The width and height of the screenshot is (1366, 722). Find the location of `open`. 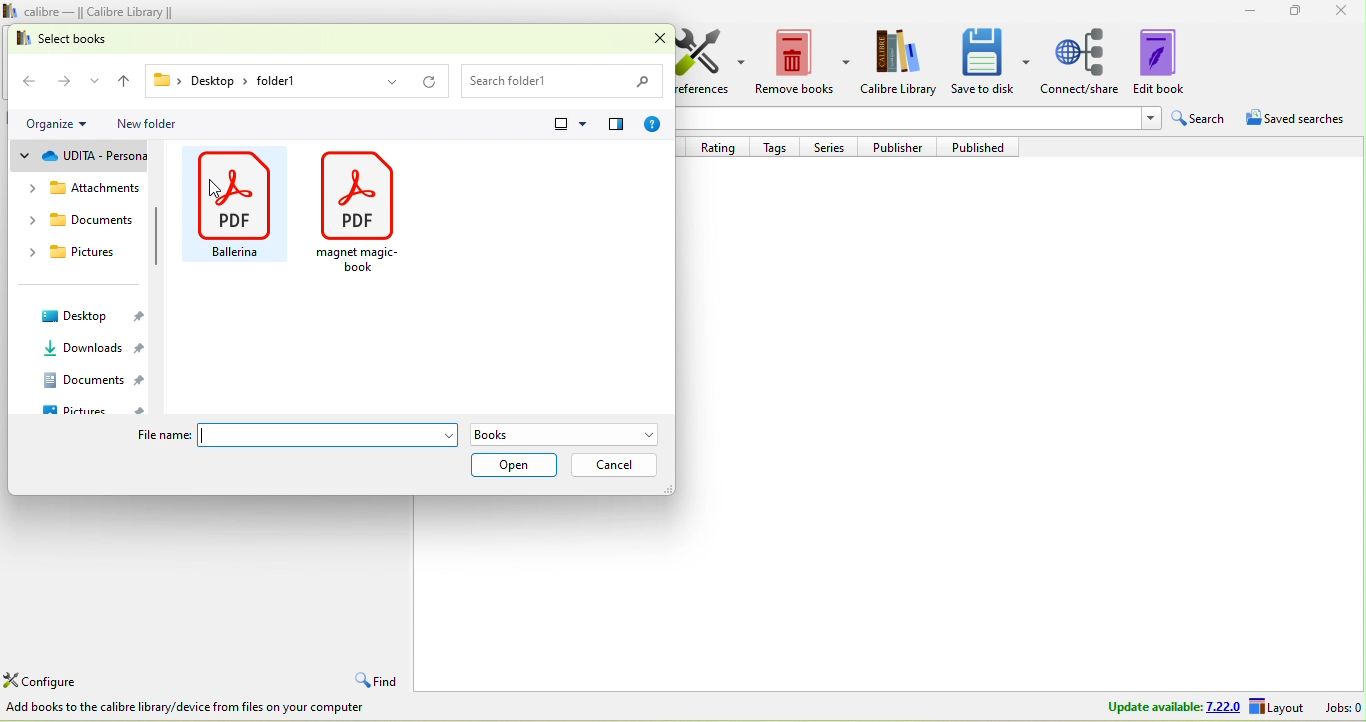

open is located at coordinates (514, 465).